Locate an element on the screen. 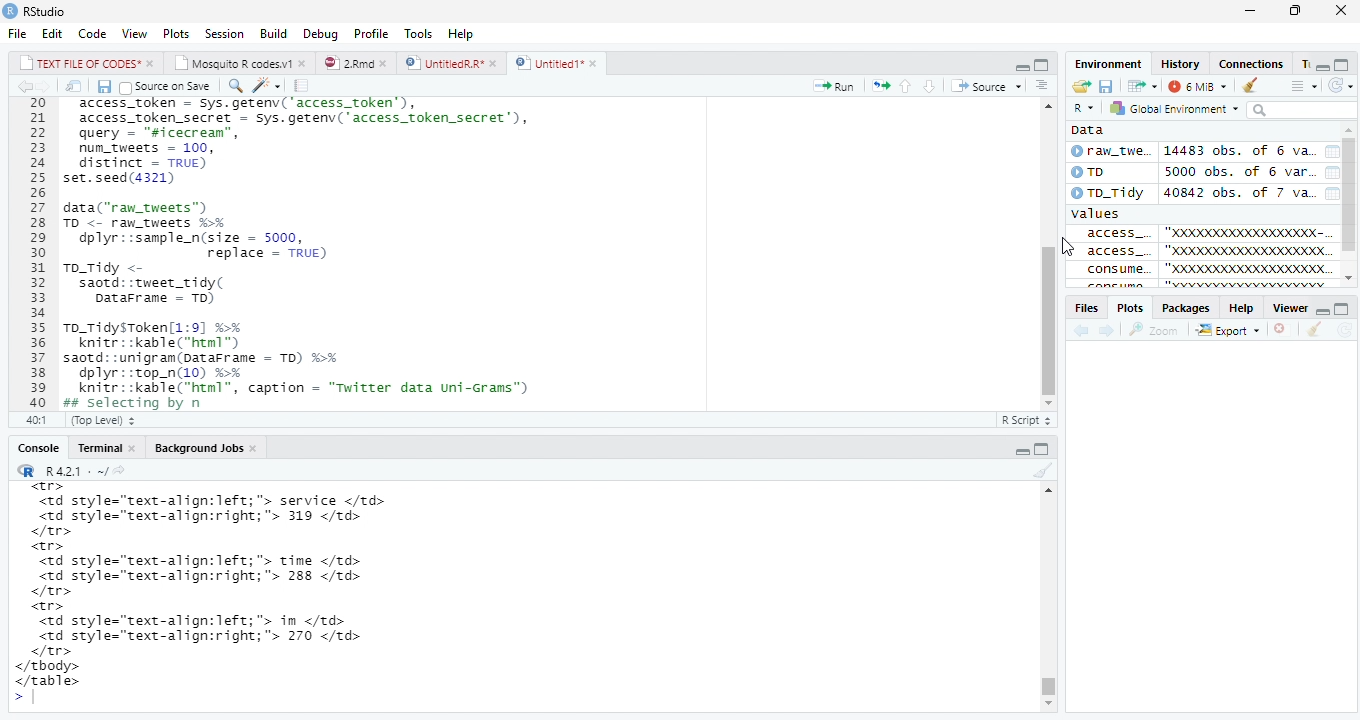  Teominal is located at coordinates (105, 445).